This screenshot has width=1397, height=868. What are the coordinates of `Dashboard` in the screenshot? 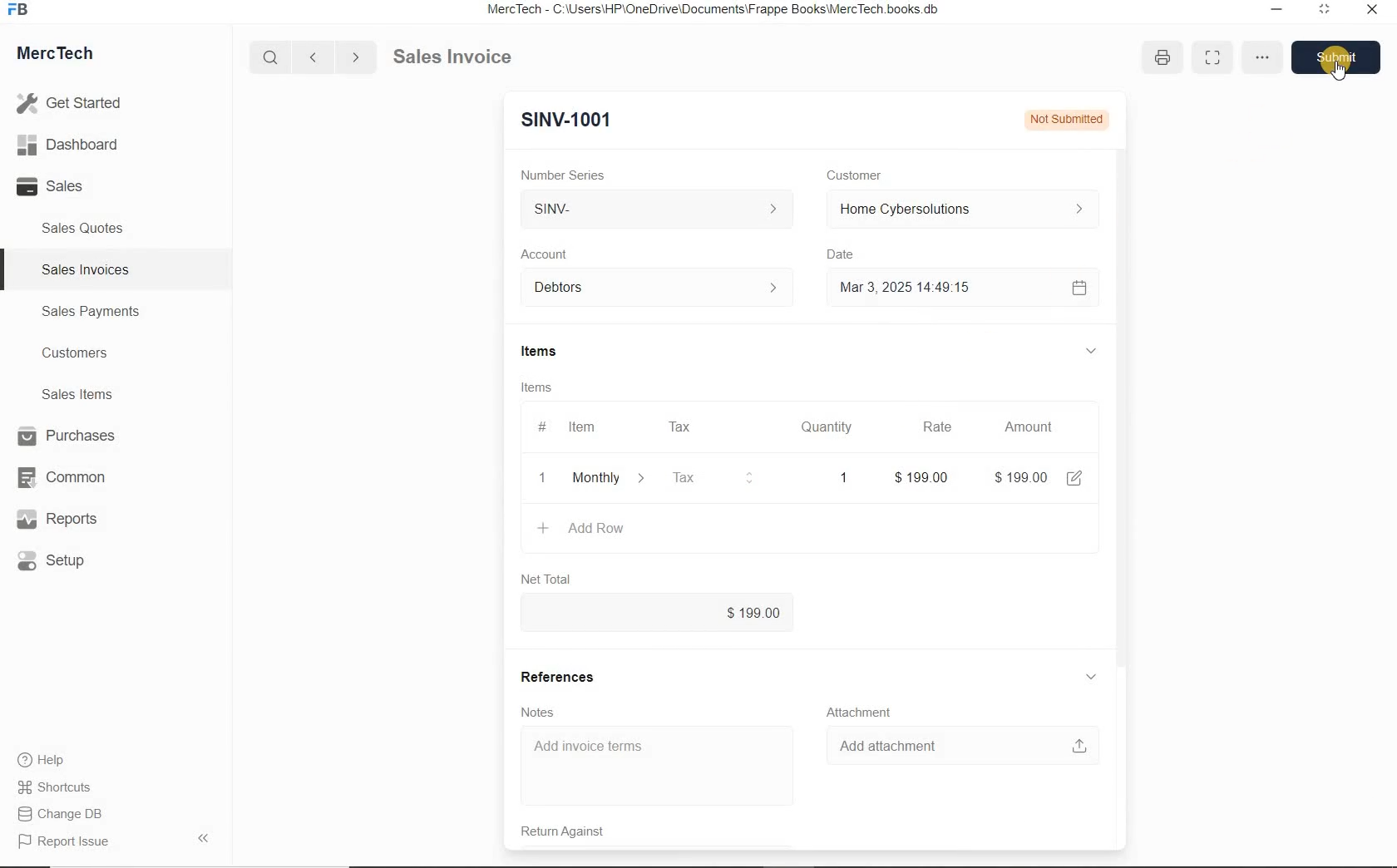 It's located at (76, 145).